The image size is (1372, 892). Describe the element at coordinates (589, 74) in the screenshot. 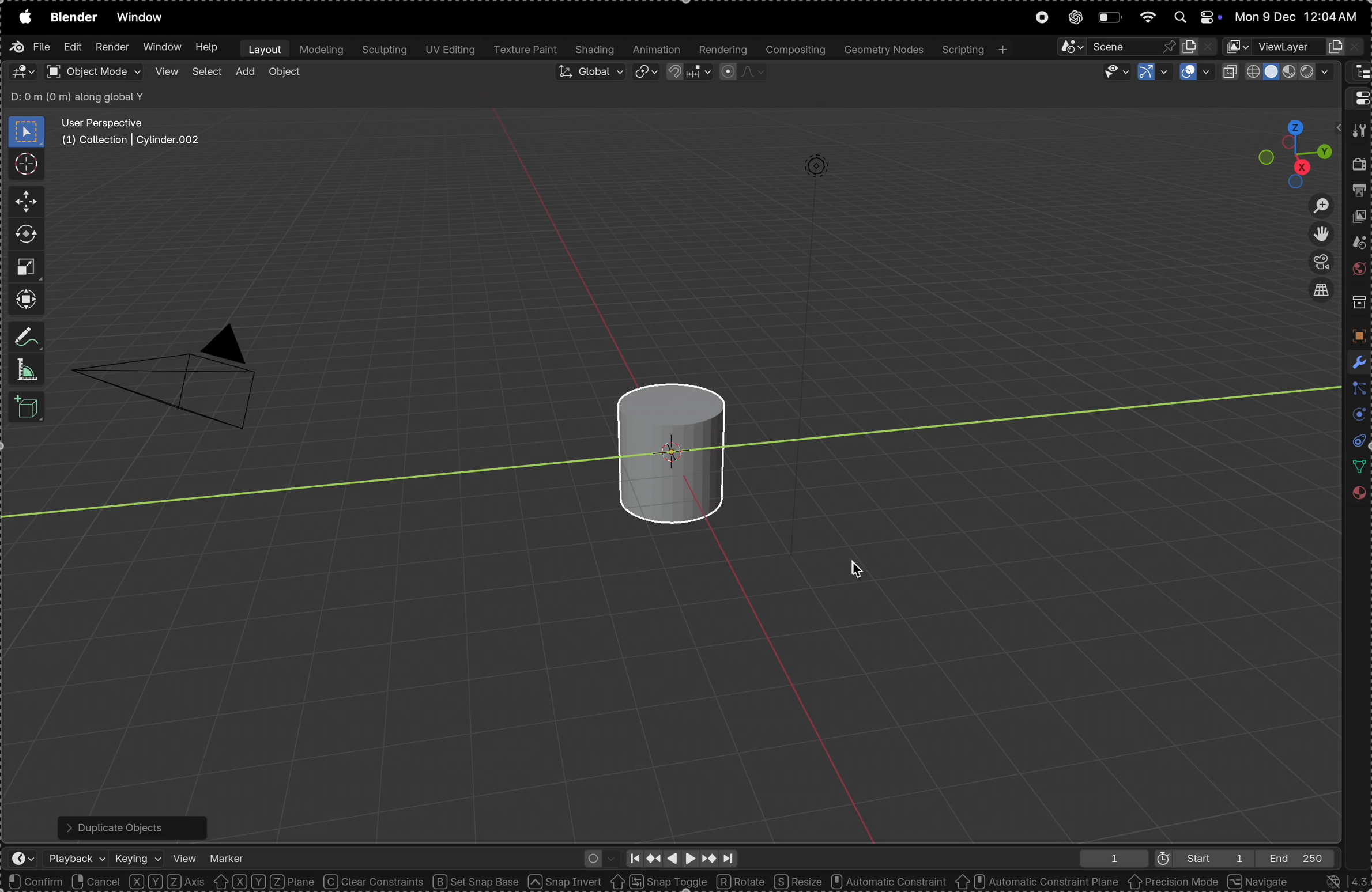

I see `Global` at that location.